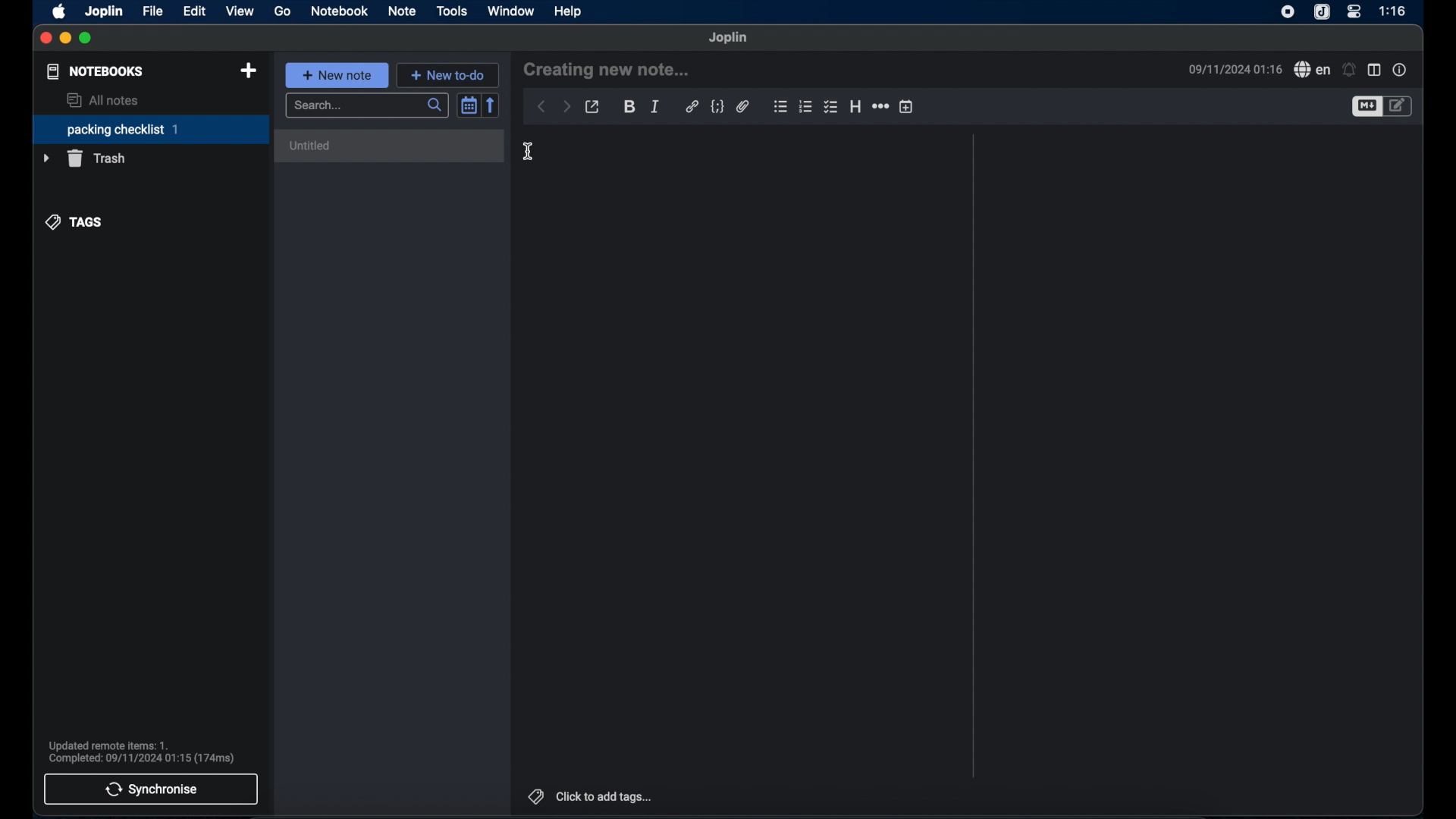  What do you see at coordinates (150, 130) in the screenshot?
I see `packing checklist` at bounding box center [150, 130].